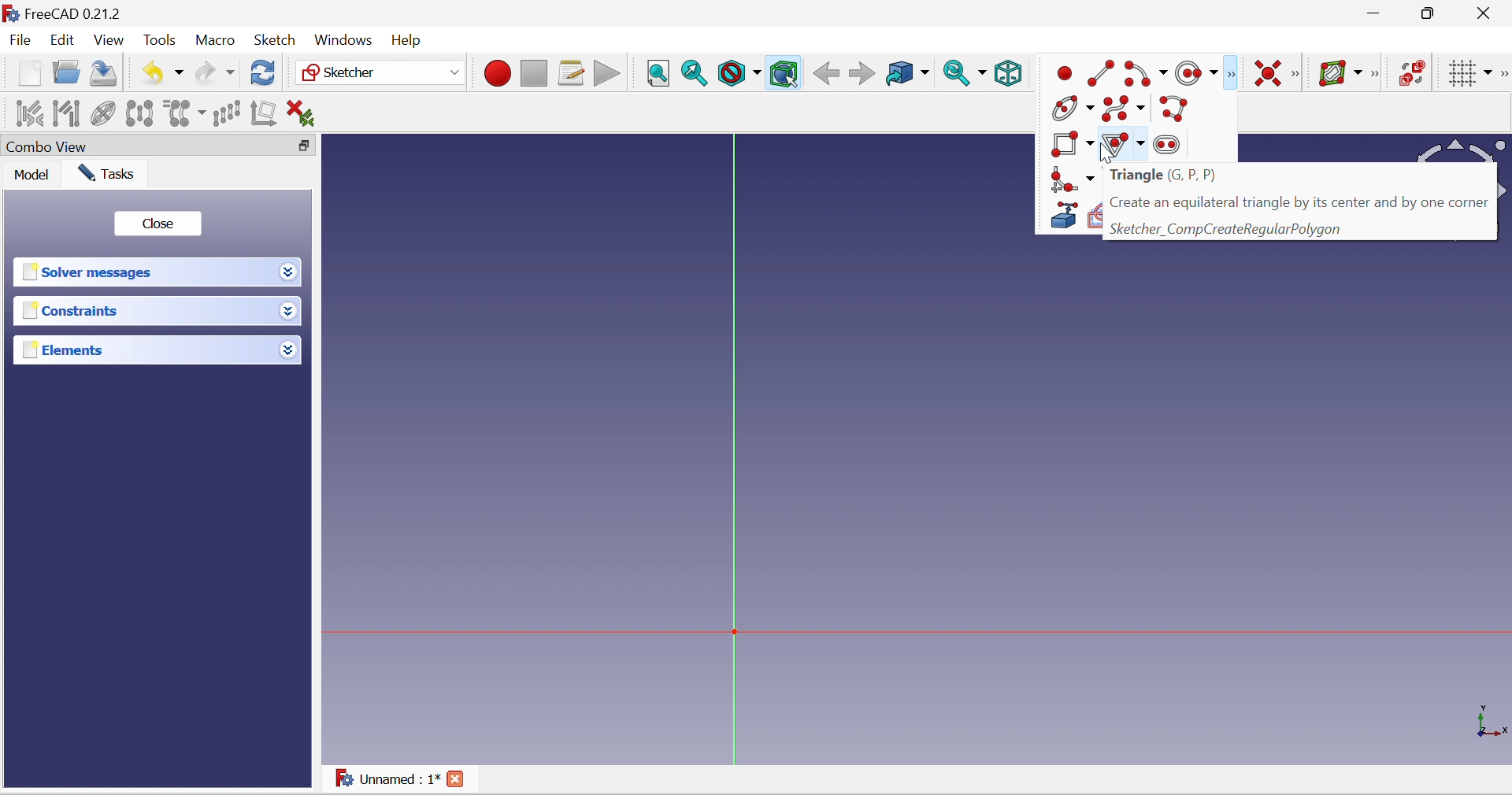 The height and width of the screenshot is (795, 1512). What do you see at coordinates (263, 74) in the screenshot?
I see `Refresh` at bounding box center [263, 74].